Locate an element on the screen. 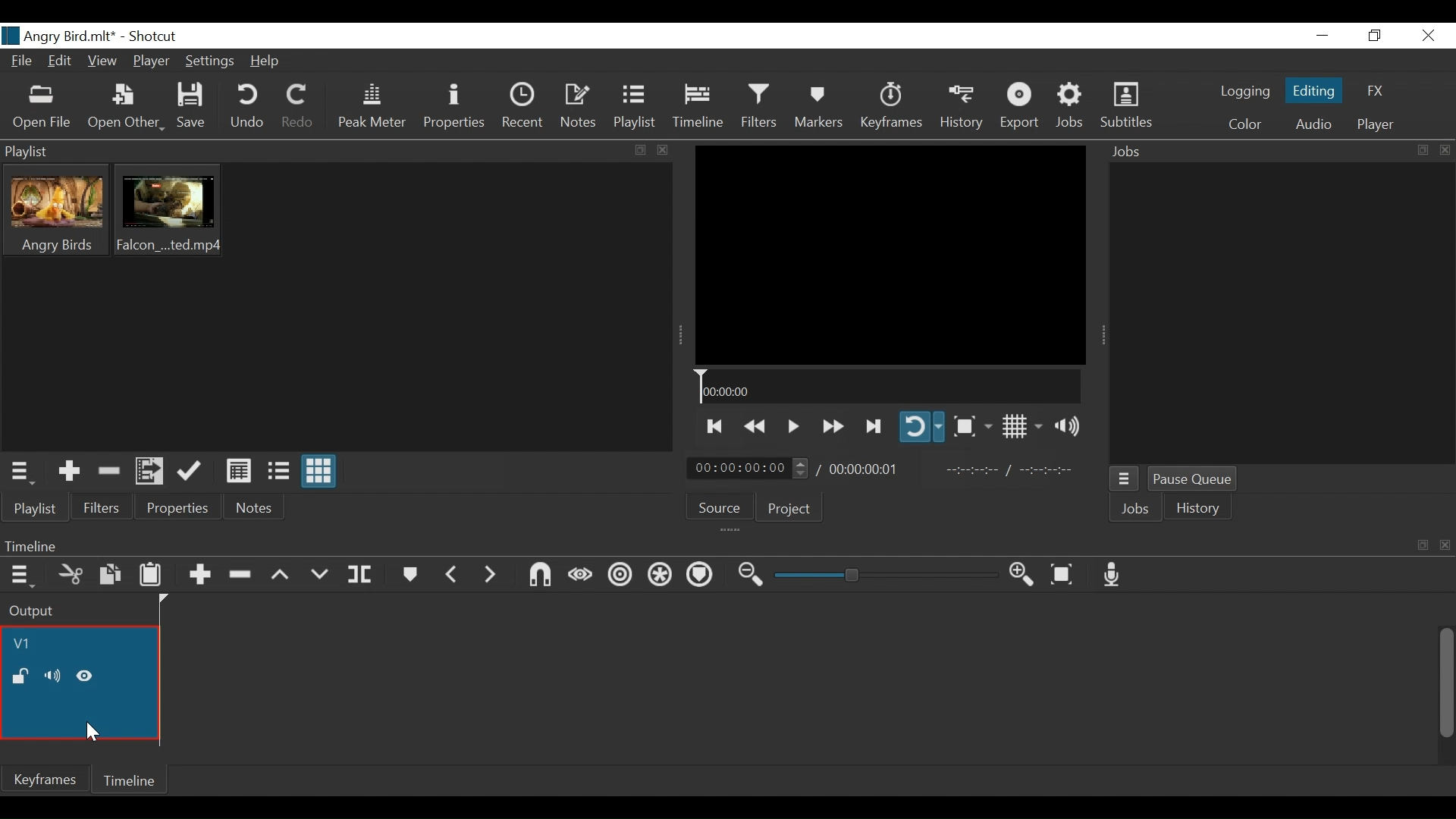 Image resolution: width=1456 pixels, height=819 pixels. Notes is located at coordinates (256, 509).